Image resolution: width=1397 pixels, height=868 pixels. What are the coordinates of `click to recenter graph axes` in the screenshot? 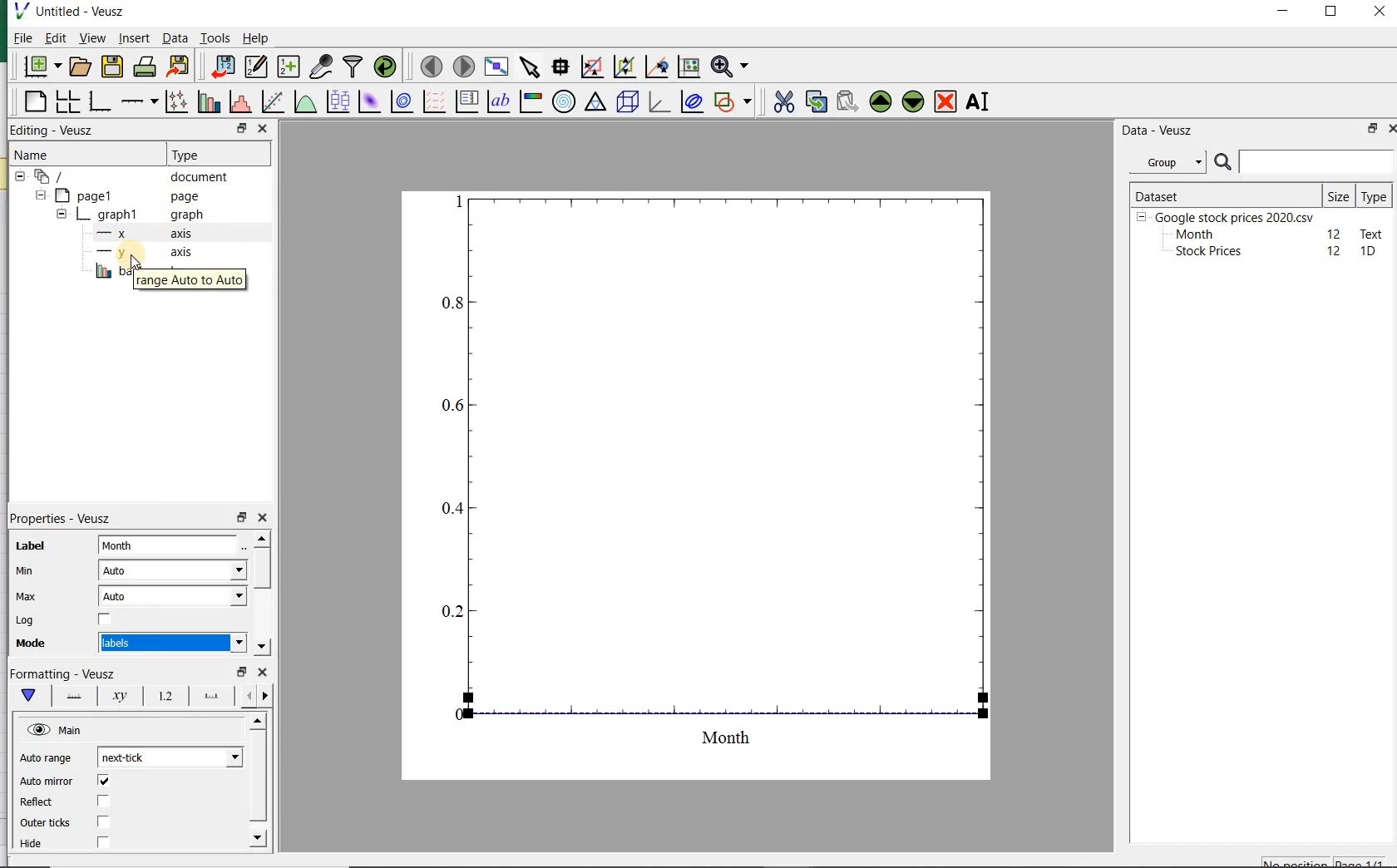 It's located at (654, 67).